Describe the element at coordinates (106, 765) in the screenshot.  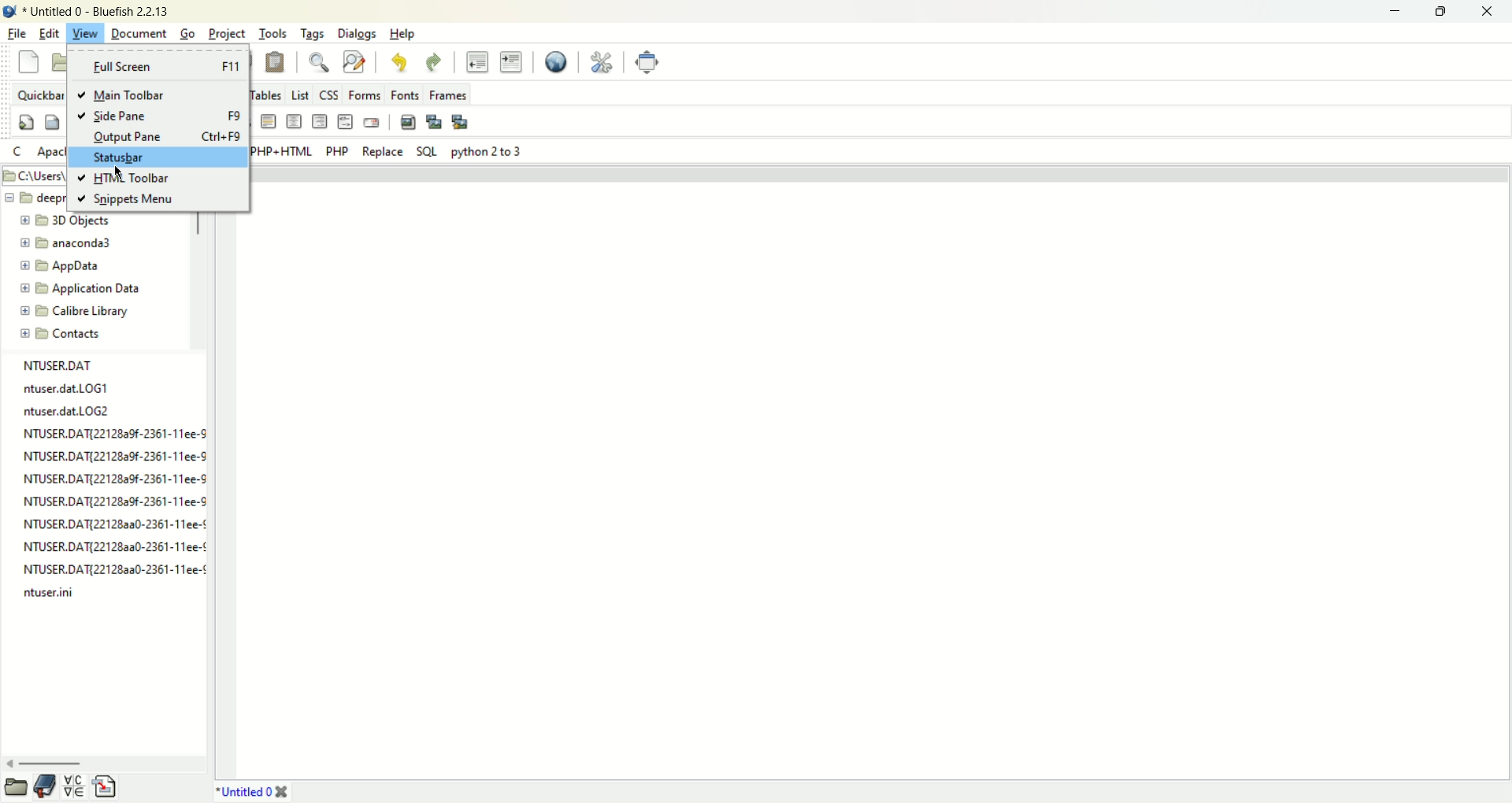
I see `scroll bar` at that location.